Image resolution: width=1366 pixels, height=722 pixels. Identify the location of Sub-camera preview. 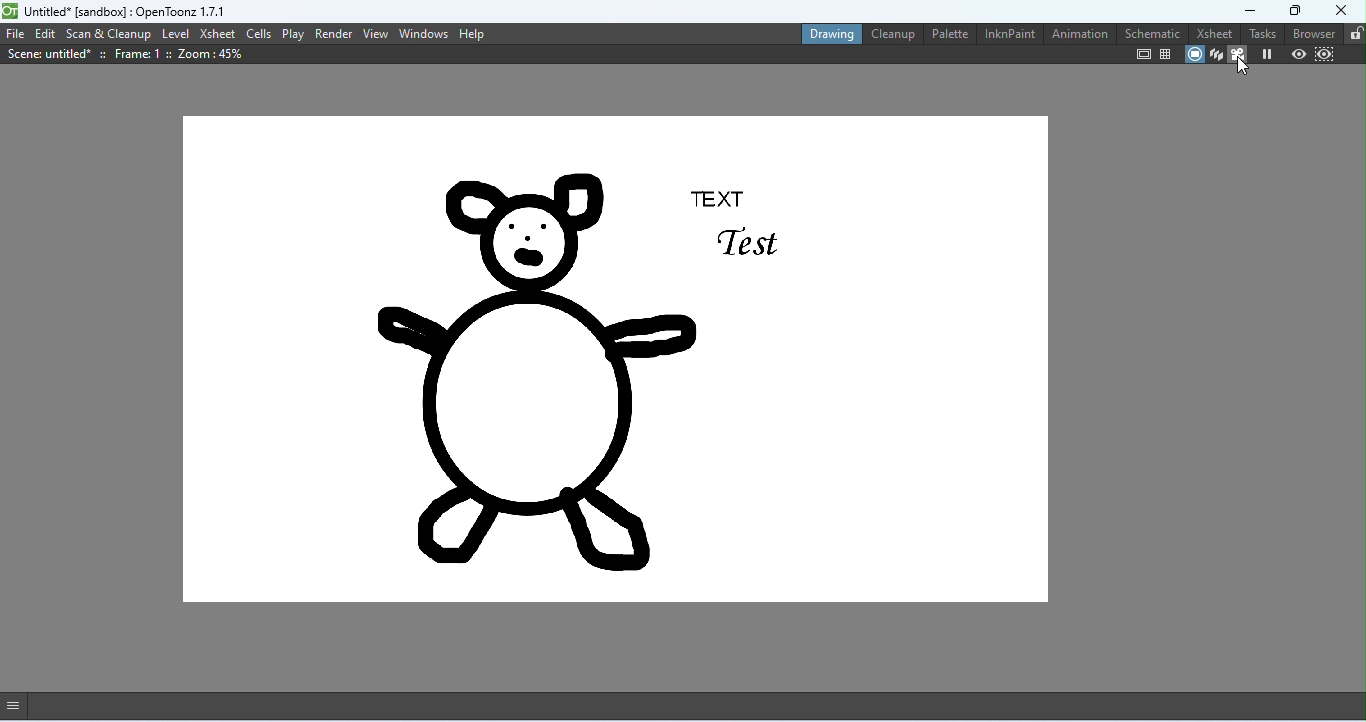
(1322, 55).